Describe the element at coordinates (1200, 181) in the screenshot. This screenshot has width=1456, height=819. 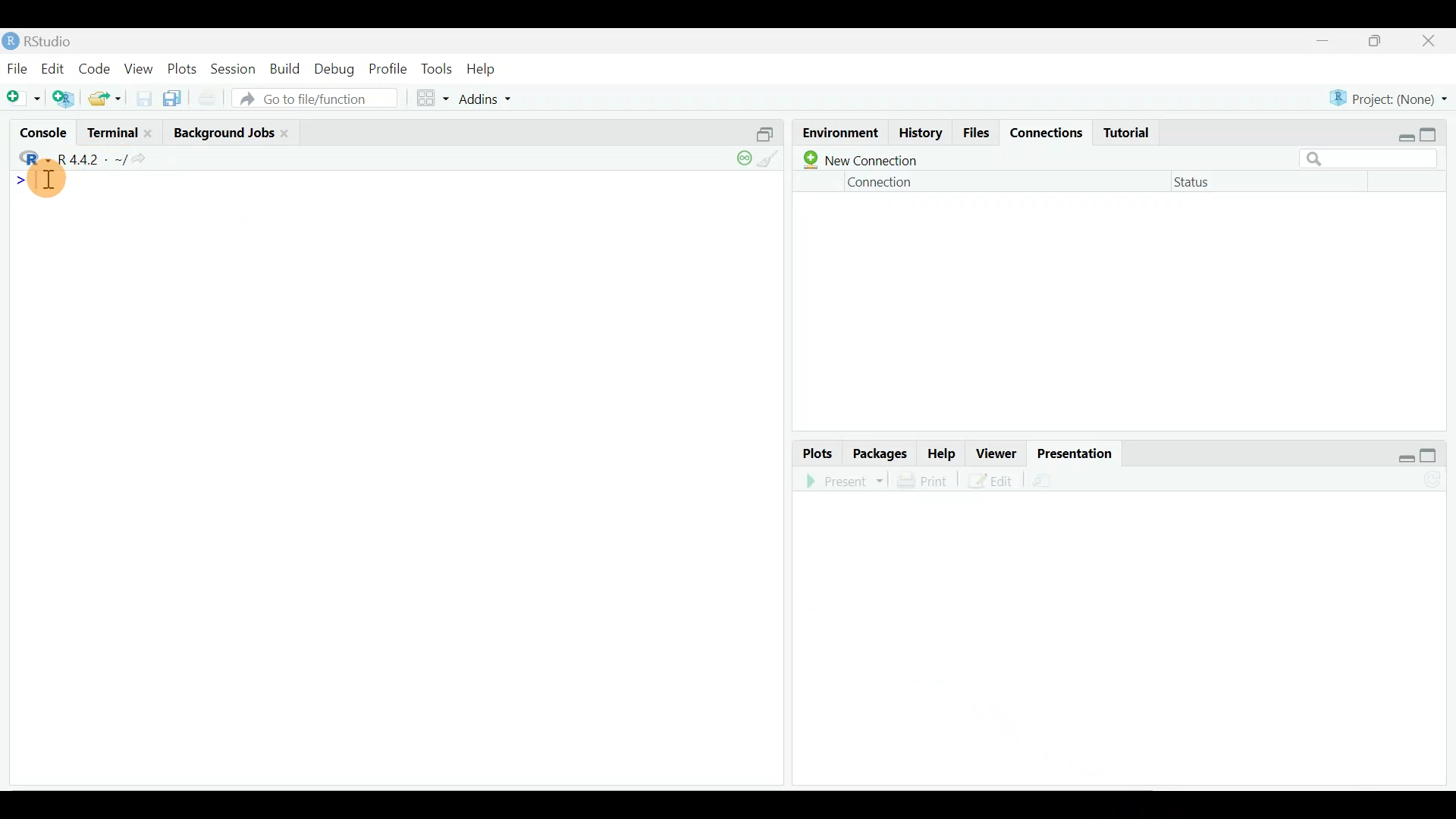
I see `Status` at that location.